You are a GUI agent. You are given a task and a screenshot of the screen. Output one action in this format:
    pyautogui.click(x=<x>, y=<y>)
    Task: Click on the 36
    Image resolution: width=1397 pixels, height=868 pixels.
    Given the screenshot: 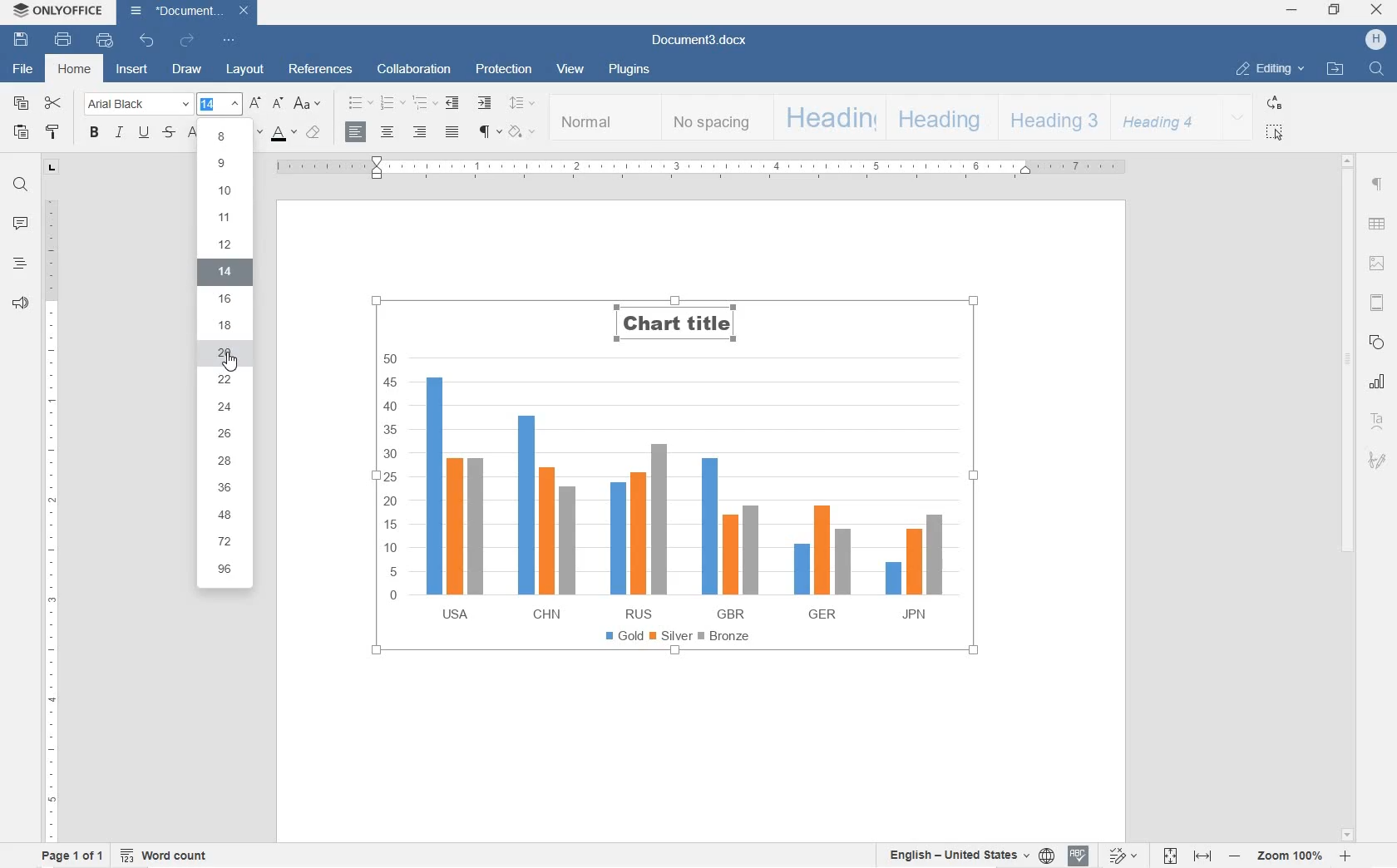 What is the action you would take?
    pyautogui.click(x=225, y=488)
    